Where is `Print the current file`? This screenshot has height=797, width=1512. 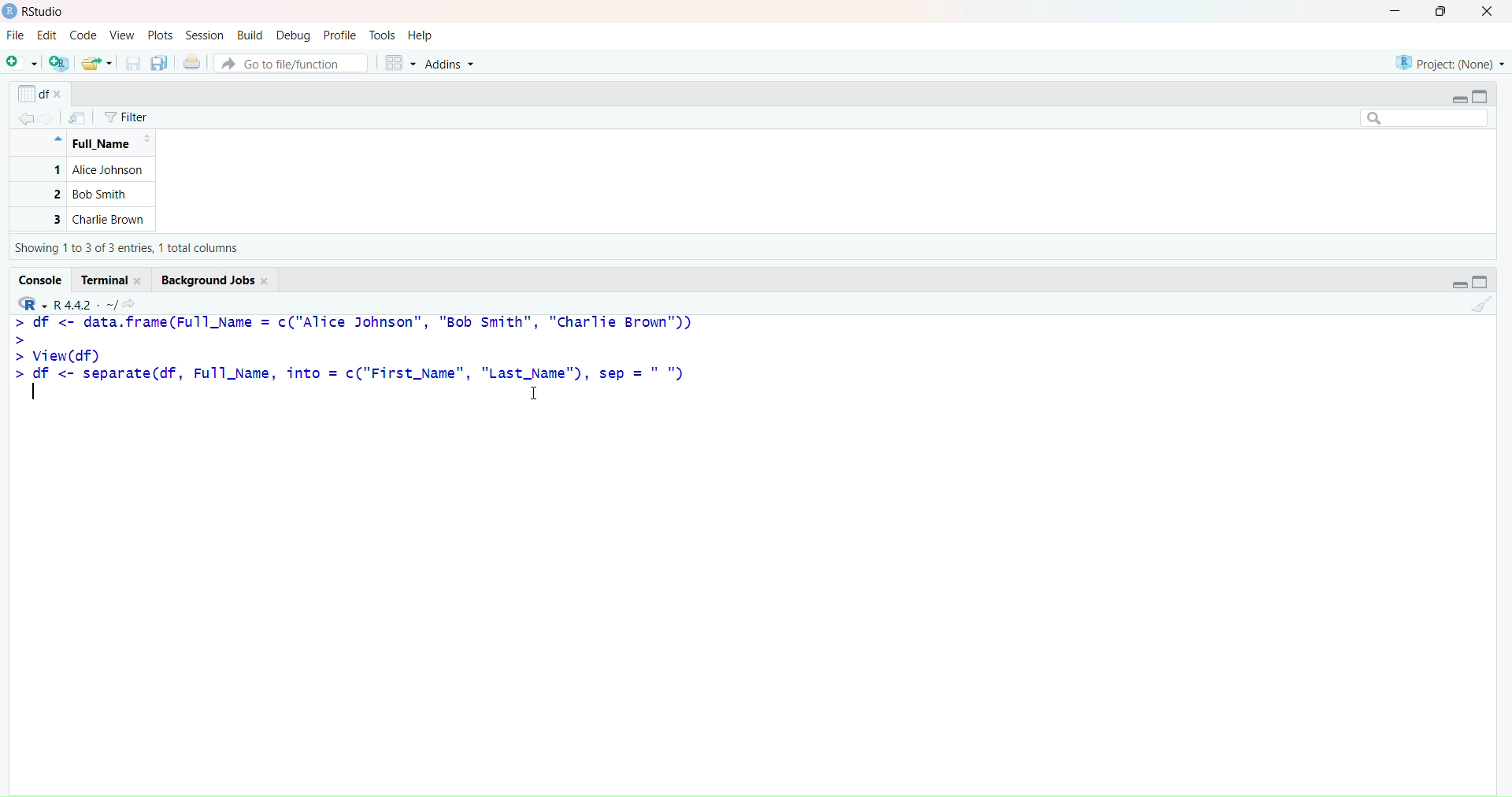
Print the current file is located at coordinates (191, 63).